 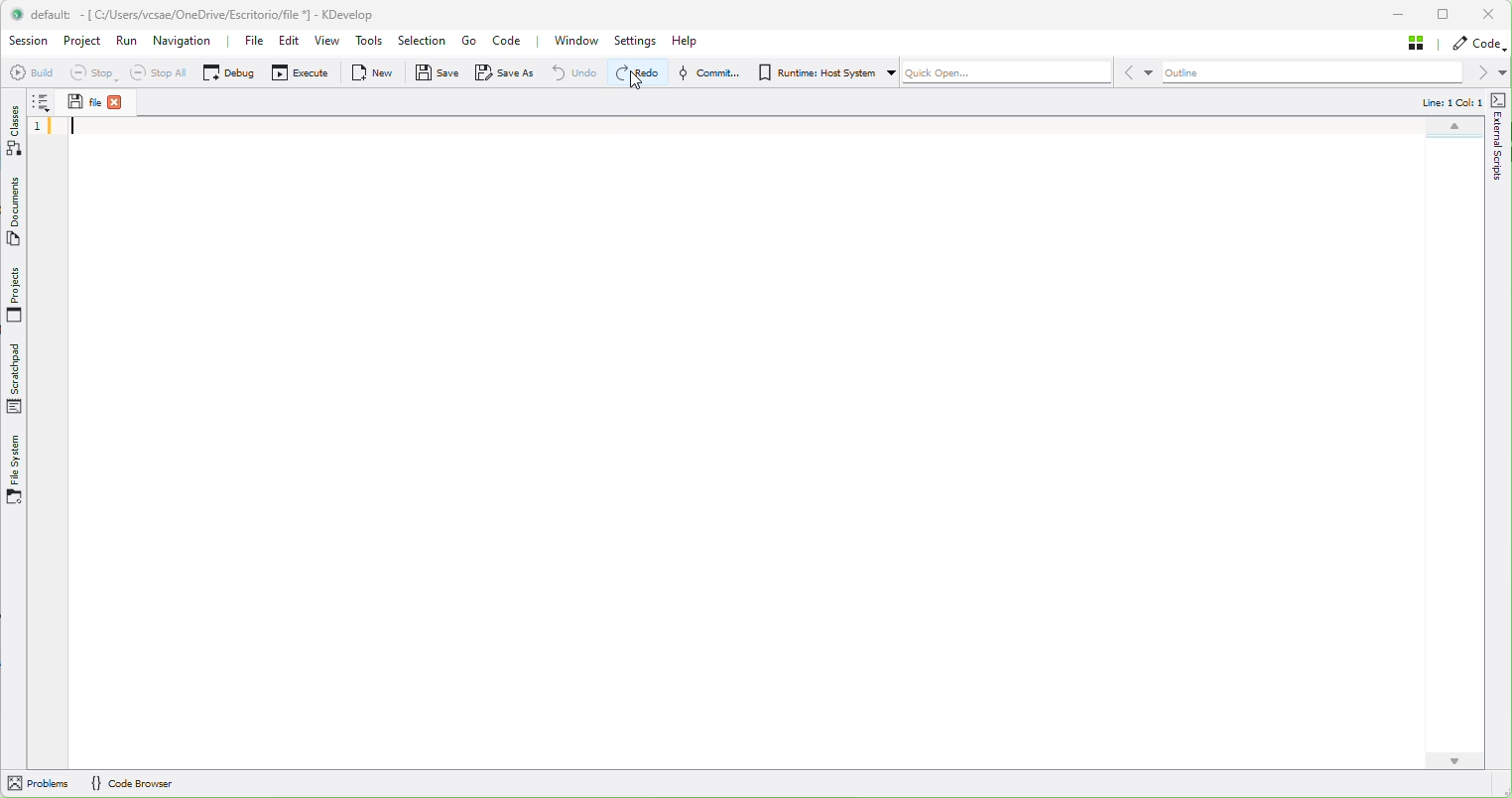 I want to click on Info, so click(x=48, y=99).